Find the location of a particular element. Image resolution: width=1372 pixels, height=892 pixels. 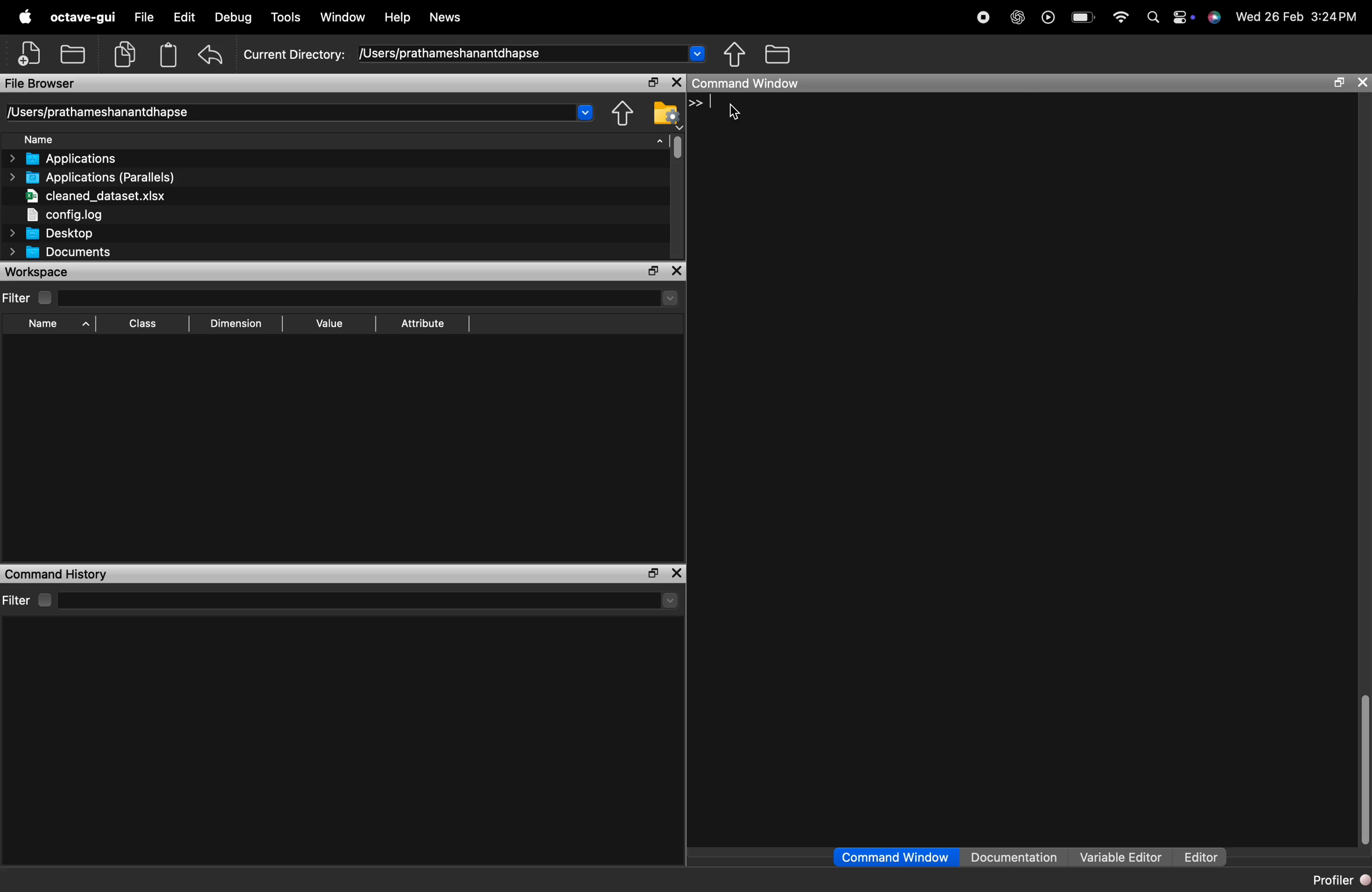

Documentation is located at coordinates (1017, 857).